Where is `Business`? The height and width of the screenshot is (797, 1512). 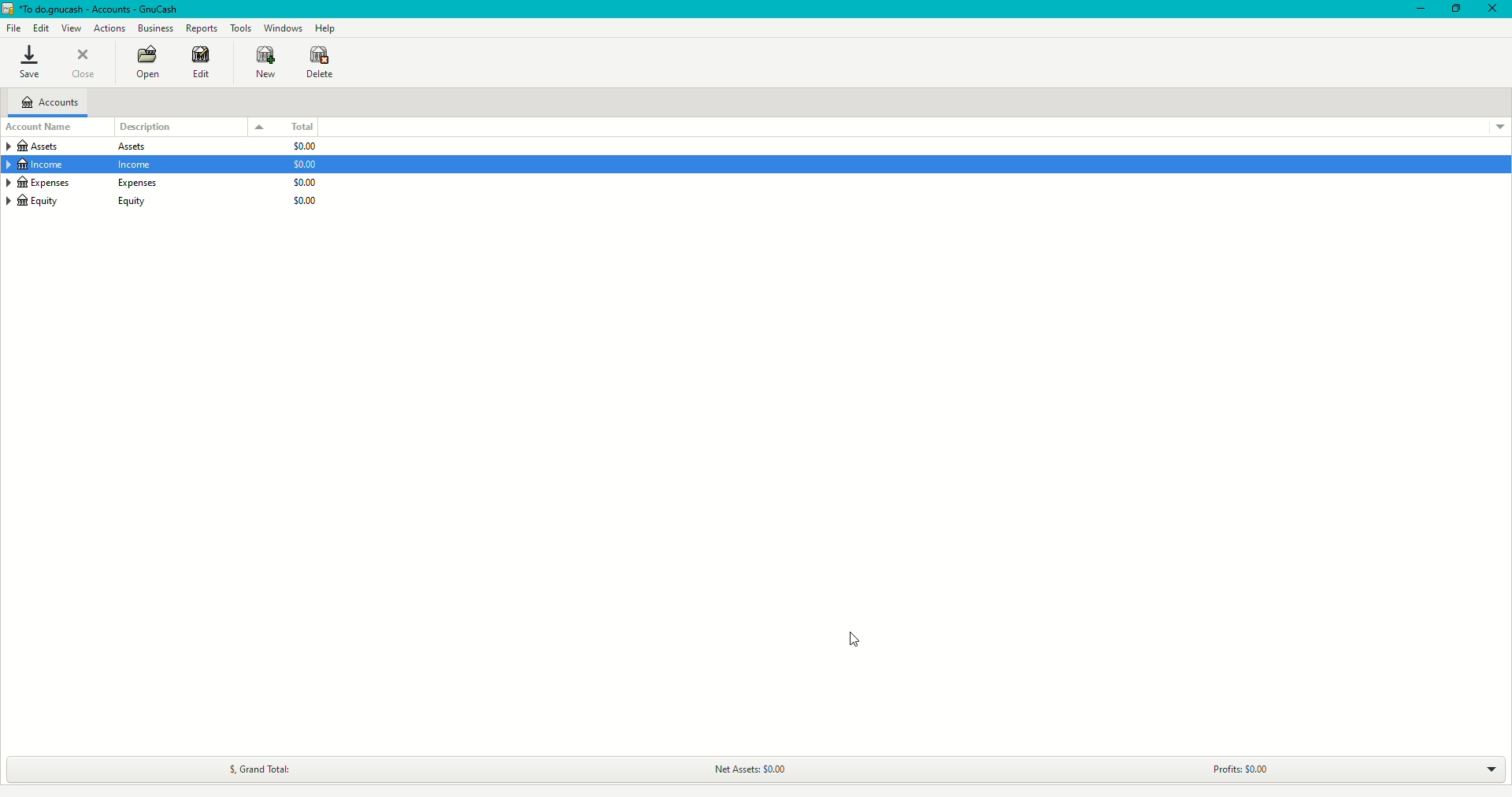 Business is located at coordinates (154, 28).